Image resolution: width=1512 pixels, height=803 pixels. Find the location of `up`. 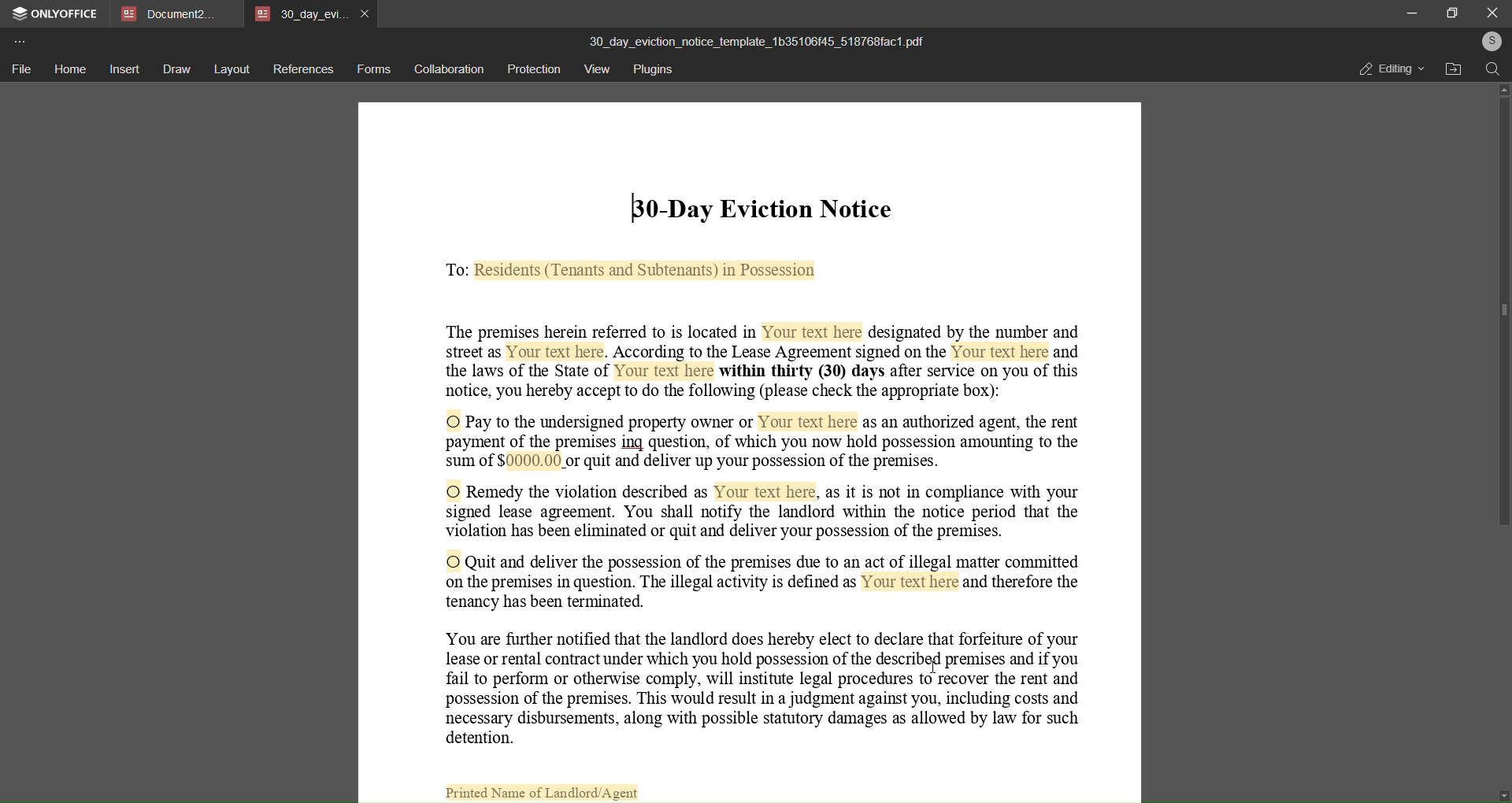

up is located at coordinates (1501, 88).